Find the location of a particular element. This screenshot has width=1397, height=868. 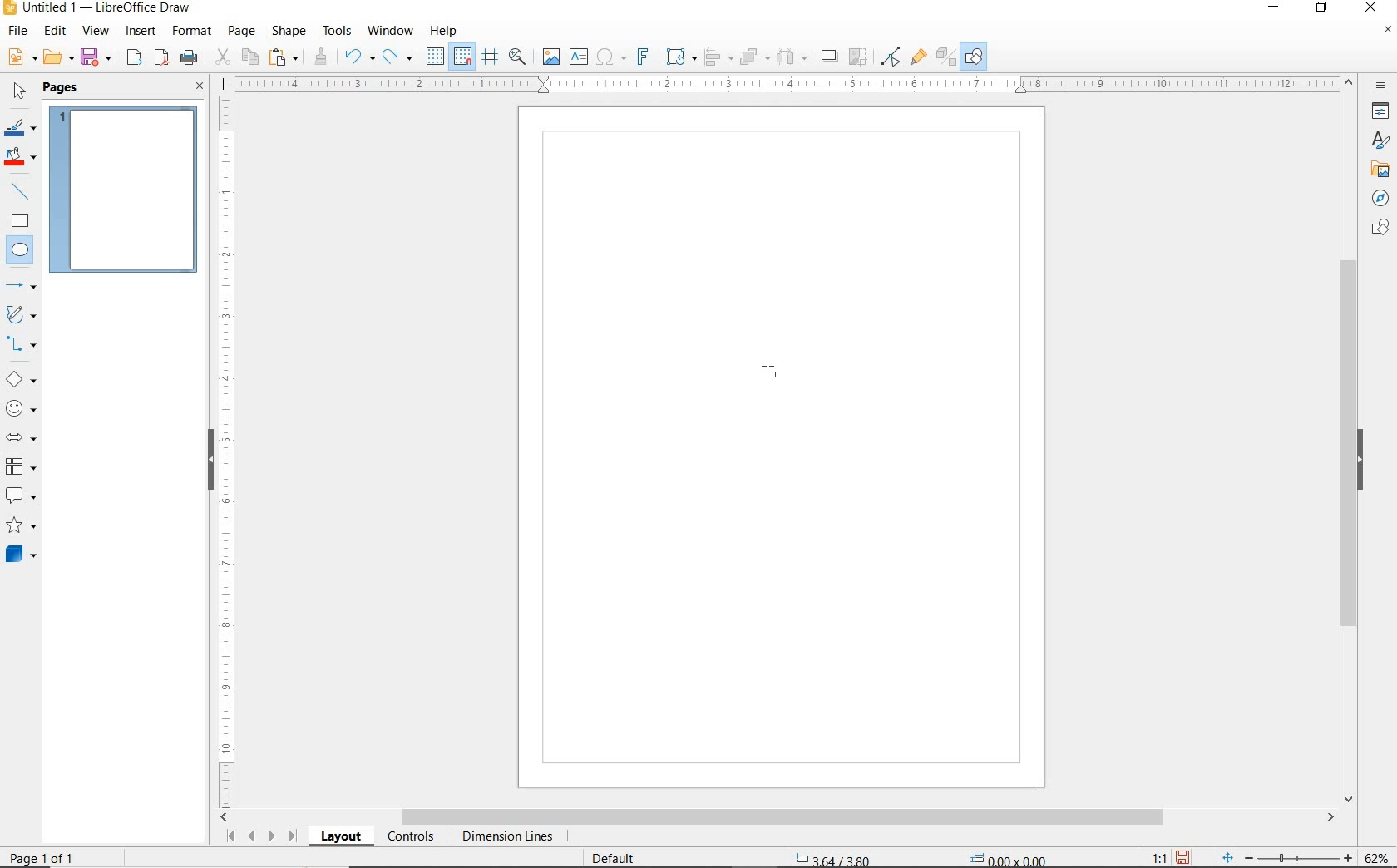

NAVIGATOR is located at coordinates (1375, 199).